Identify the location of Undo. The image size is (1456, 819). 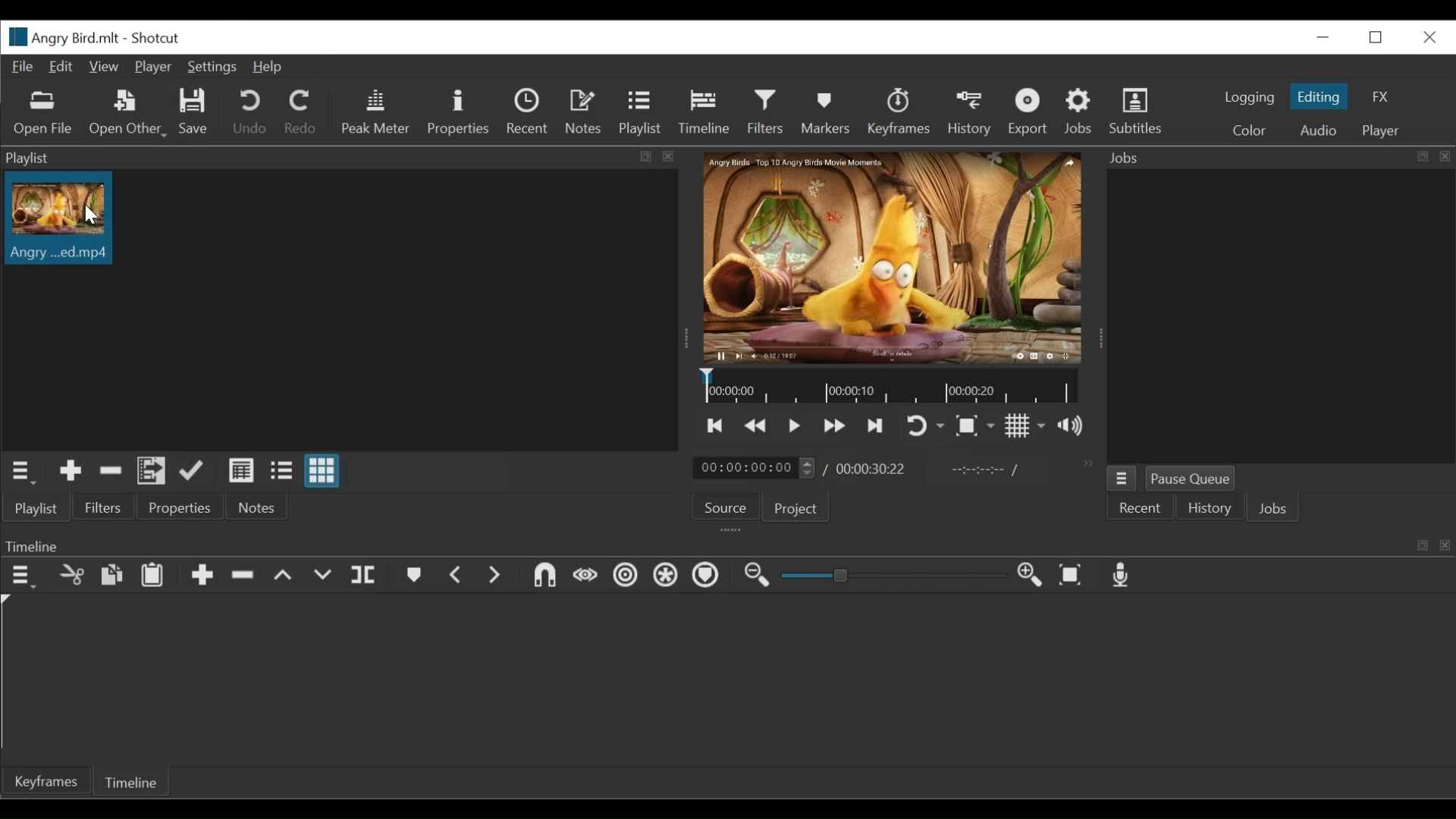
(253, 112).